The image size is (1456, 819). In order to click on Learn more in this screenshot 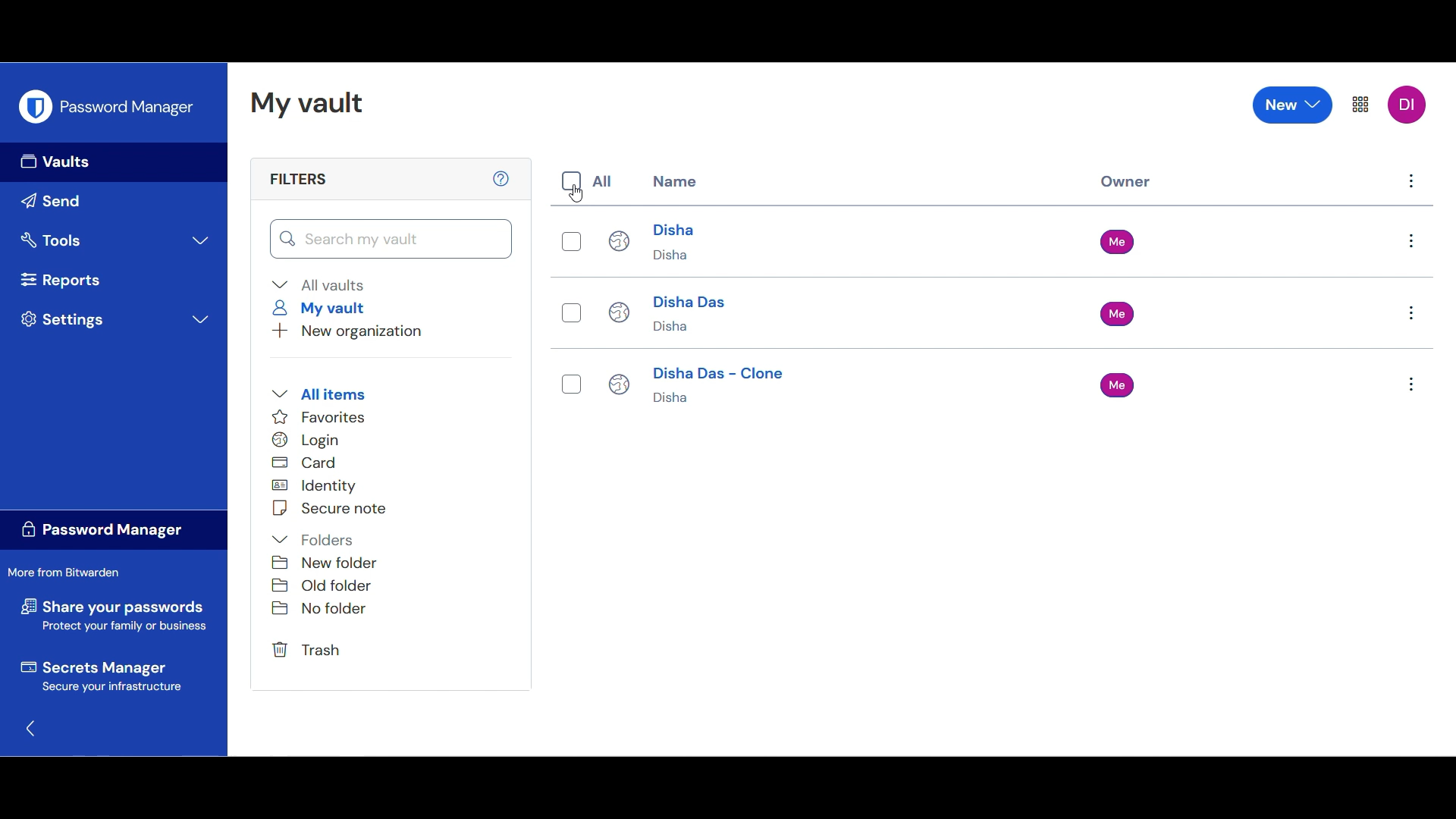, I will do `click(500, 178)`.